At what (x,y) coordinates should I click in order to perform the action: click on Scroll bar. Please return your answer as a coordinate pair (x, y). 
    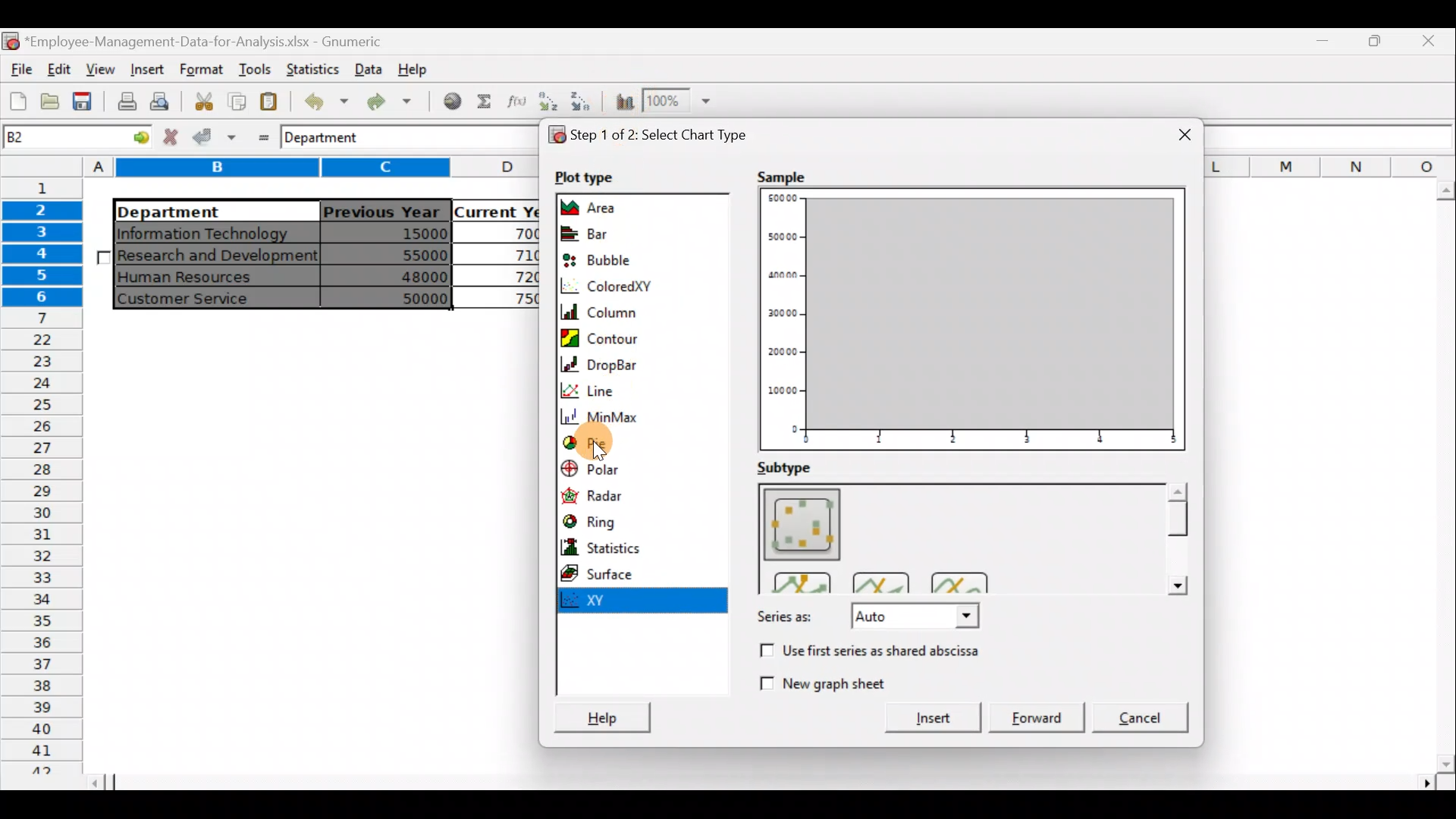
    Looking at the image, I should click on (773, 783).